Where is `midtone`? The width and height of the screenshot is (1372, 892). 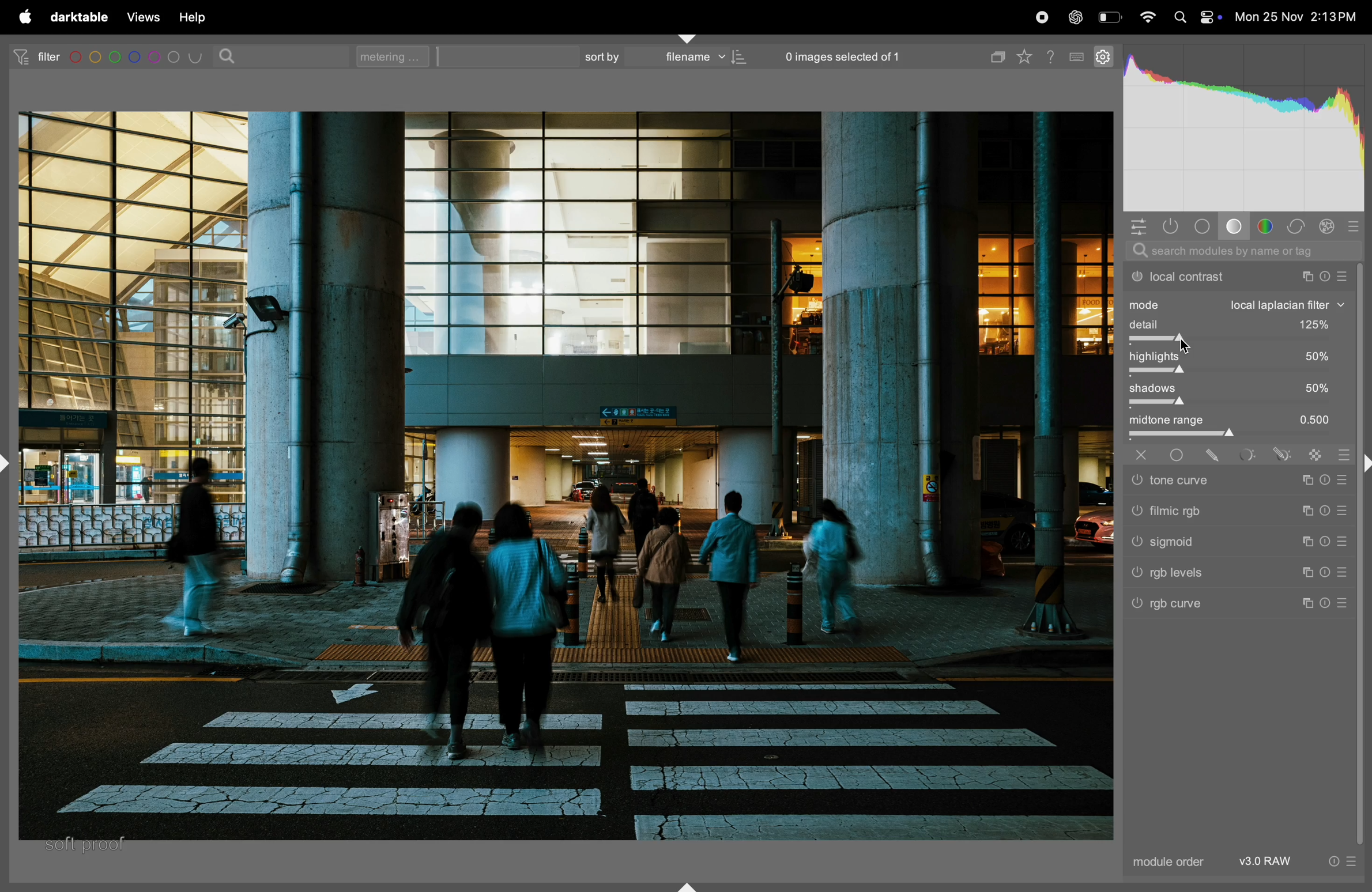
midtone is located at coordinates (1237, 421).